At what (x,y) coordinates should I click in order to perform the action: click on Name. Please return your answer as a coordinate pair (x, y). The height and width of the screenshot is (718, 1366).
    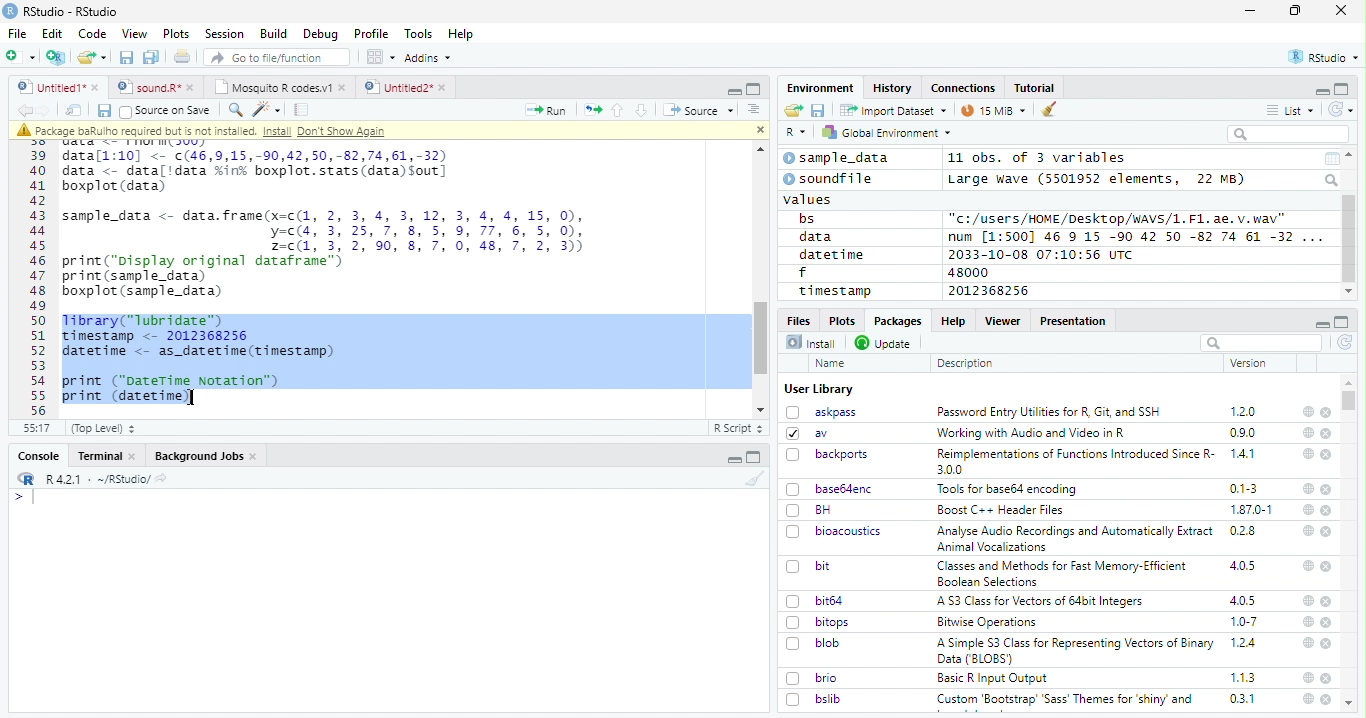
    Looking at the image, I should click on (832, 364).